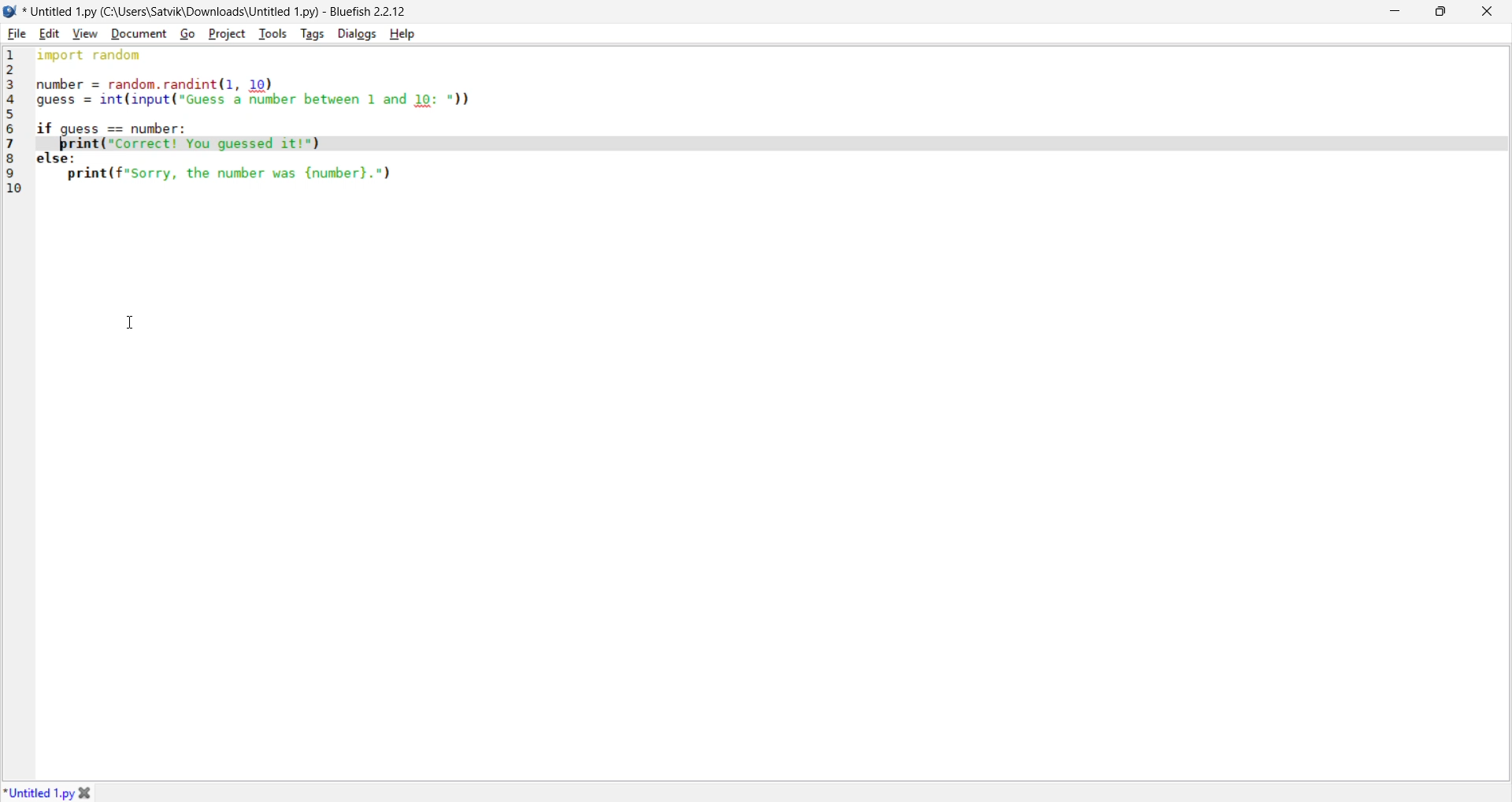  I want to click on edit, so click(48, 34).